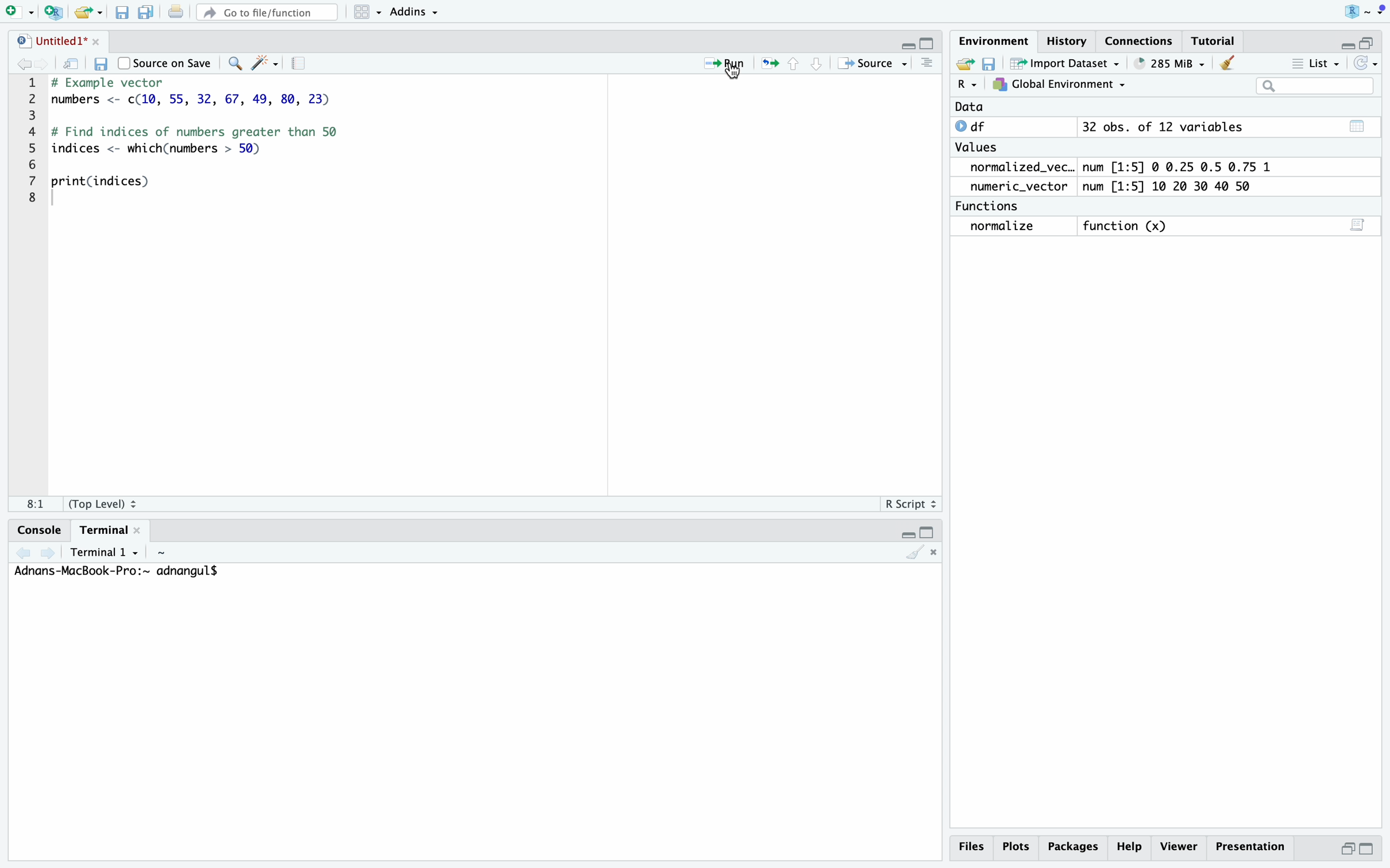 The height and width of the screenshot is (868, 1390). What do you see at coordinates (793, 63) in the screenshot?
I see `go to previous section` at bounding box center [793, 63].